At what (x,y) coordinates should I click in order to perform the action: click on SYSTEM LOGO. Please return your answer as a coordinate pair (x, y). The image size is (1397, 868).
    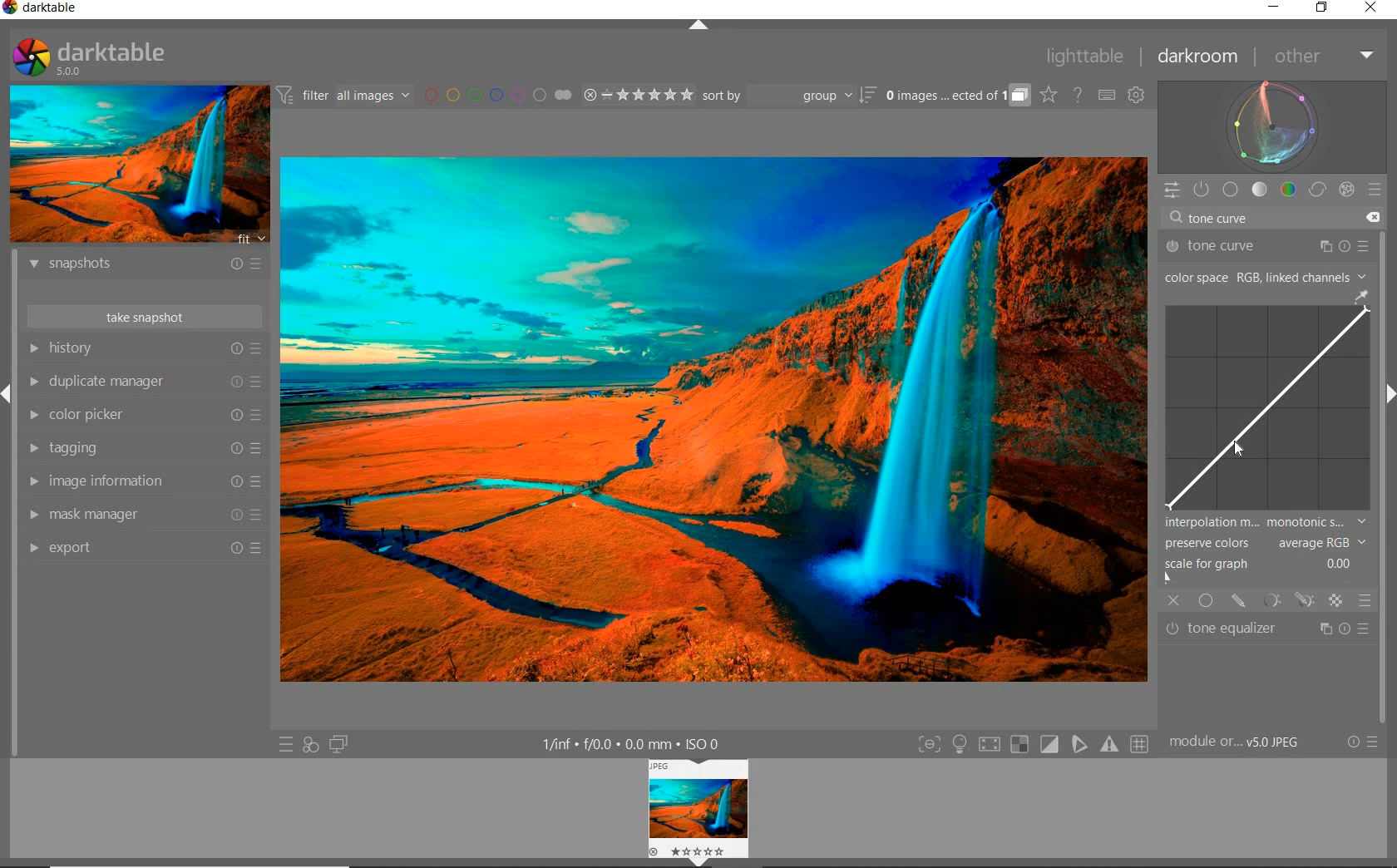
    Looking at the image, I should click on (90, 57).